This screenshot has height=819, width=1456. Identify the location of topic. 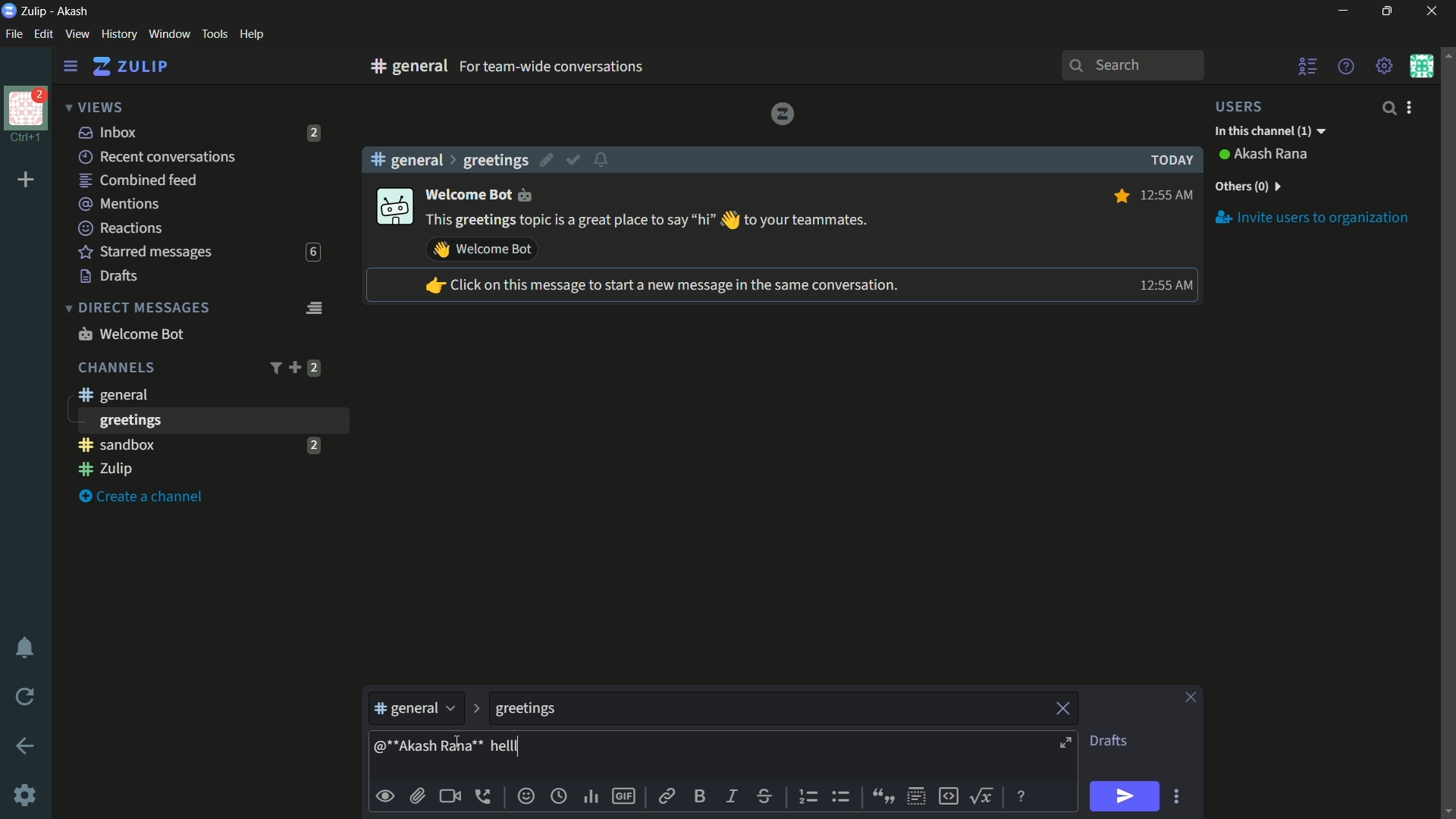
(768, 709).